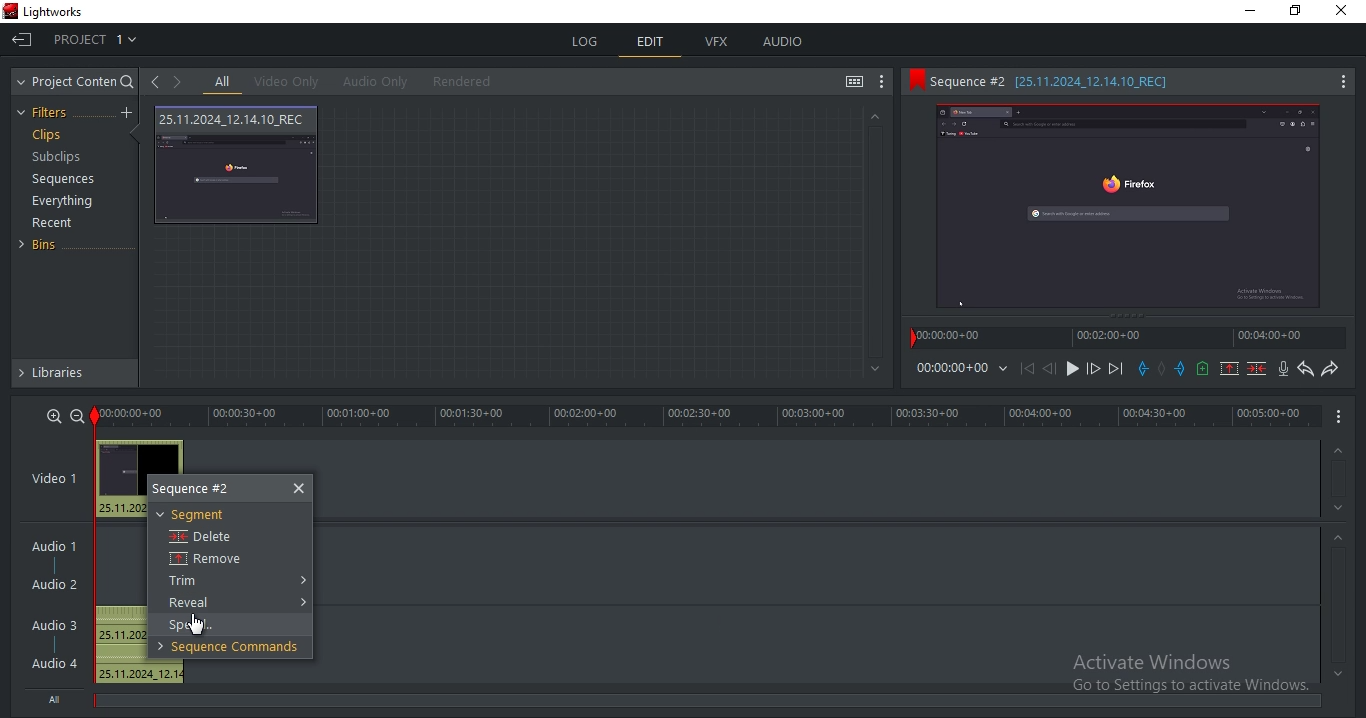 Image resolution: width=1366 pixels, height=718 pixels. Describe the element at coordinates (964, 371) in the screenshot. I see `time` at that location.